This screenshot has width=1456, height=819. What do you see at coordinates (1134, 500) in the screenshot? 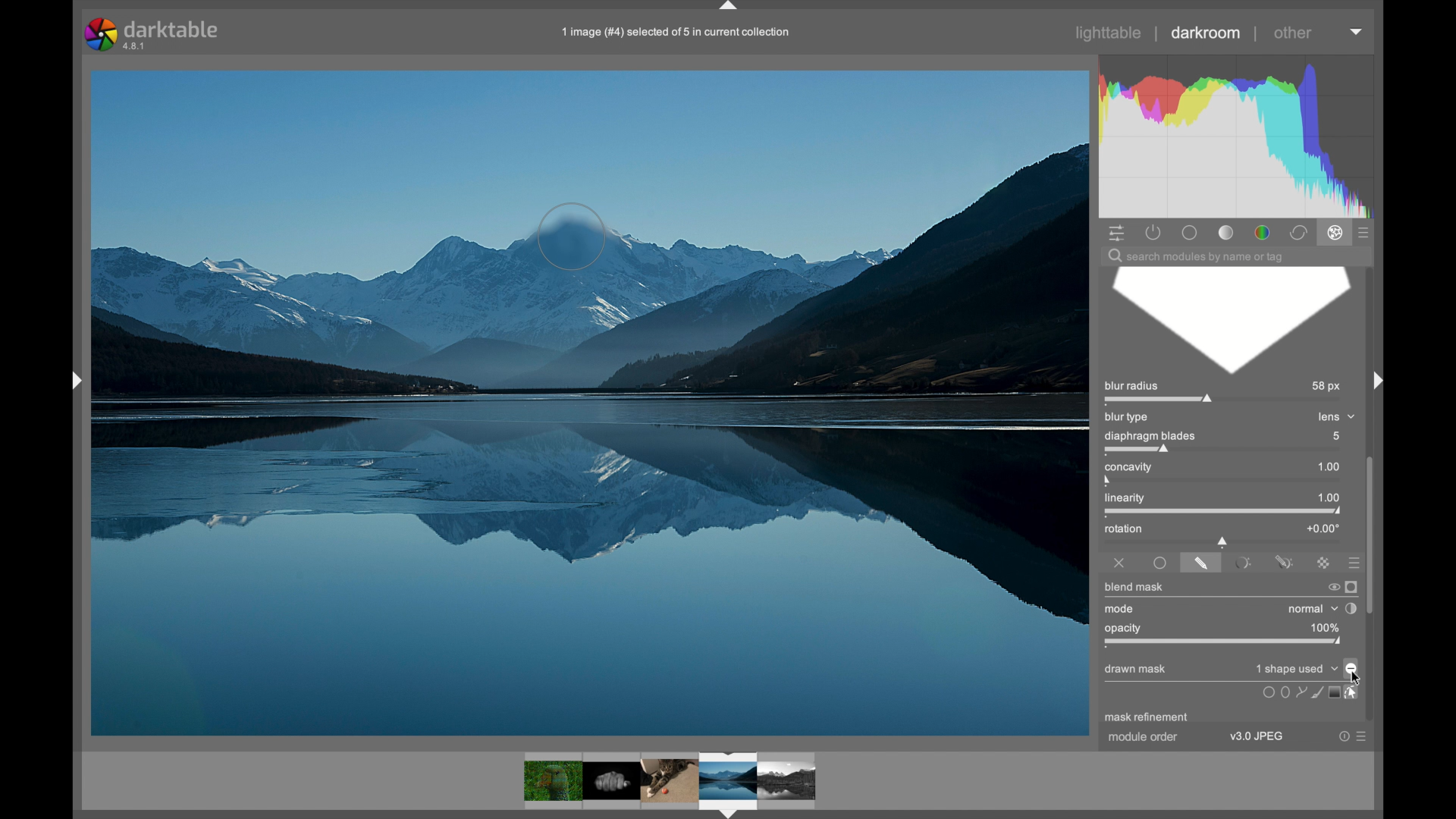
I see `linearity` at bounding box center [1134, 500].